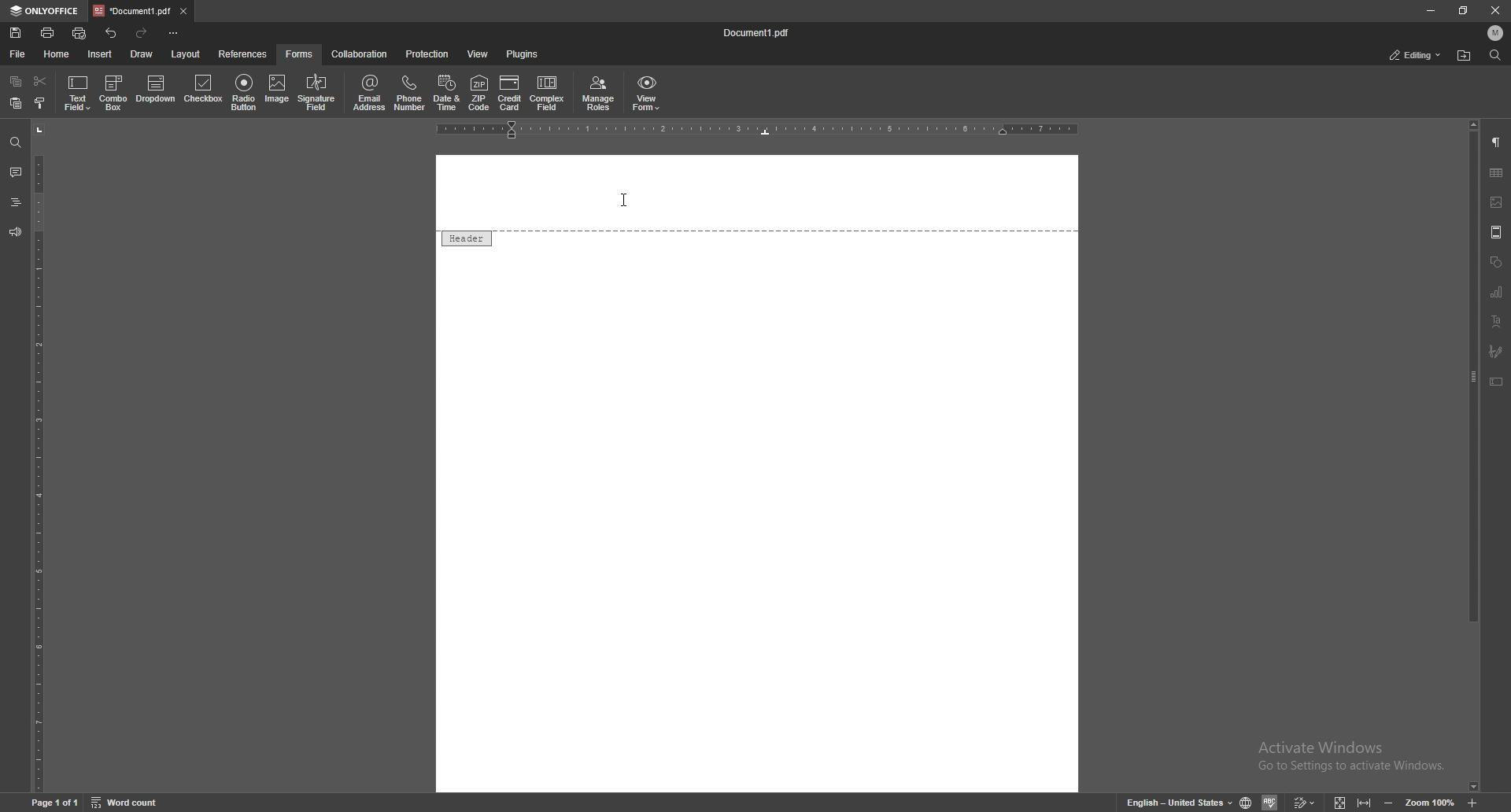 This screenshot has width=1511, height=812. What do you see at coordinates (1497, 232) in the screenshot?
I see `header/footer` at bounding box center [1497, 232].